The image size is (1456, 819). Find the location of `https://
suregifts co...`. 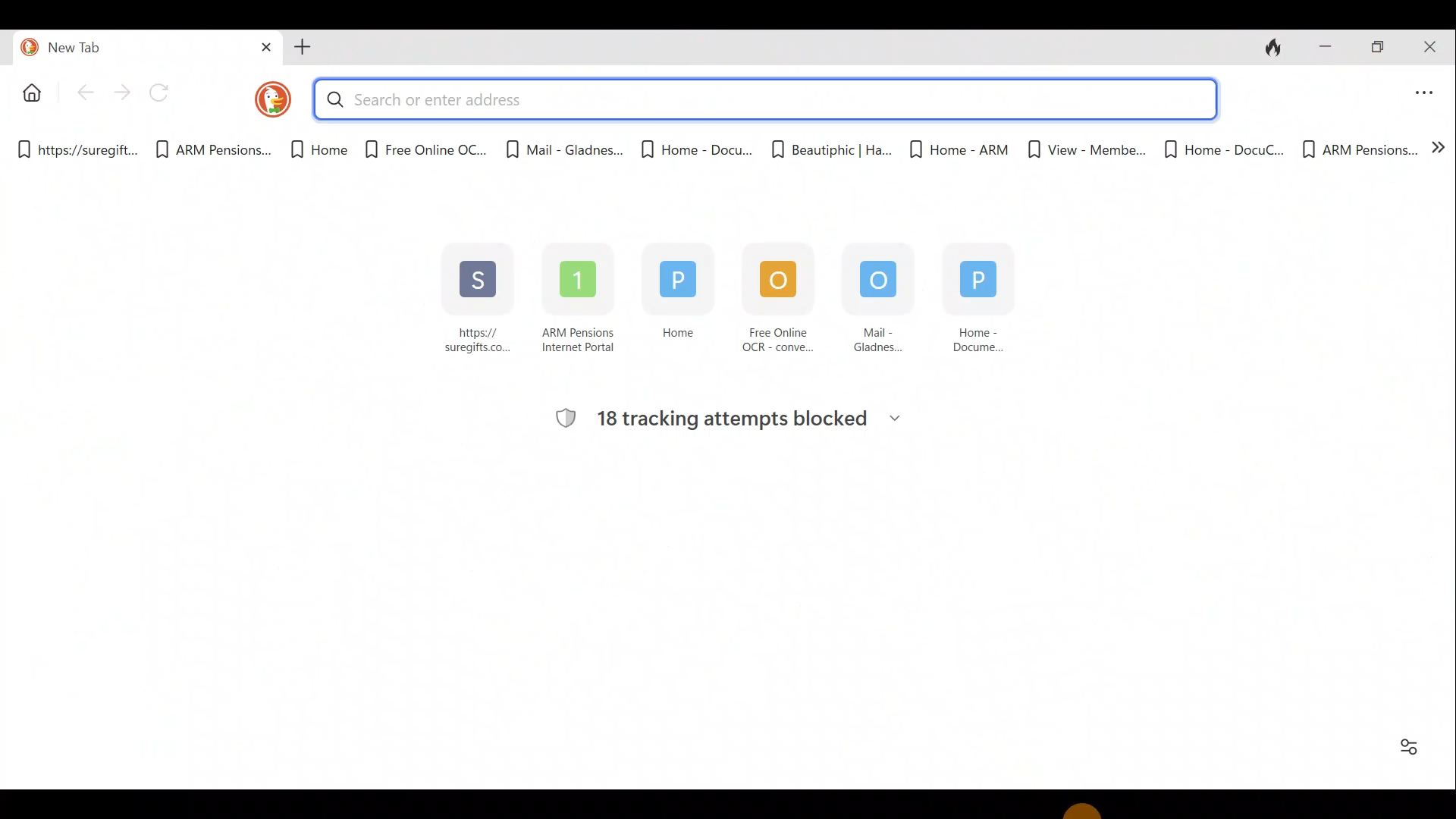

https://
suregifts co... is located at coordinates (469, 301).